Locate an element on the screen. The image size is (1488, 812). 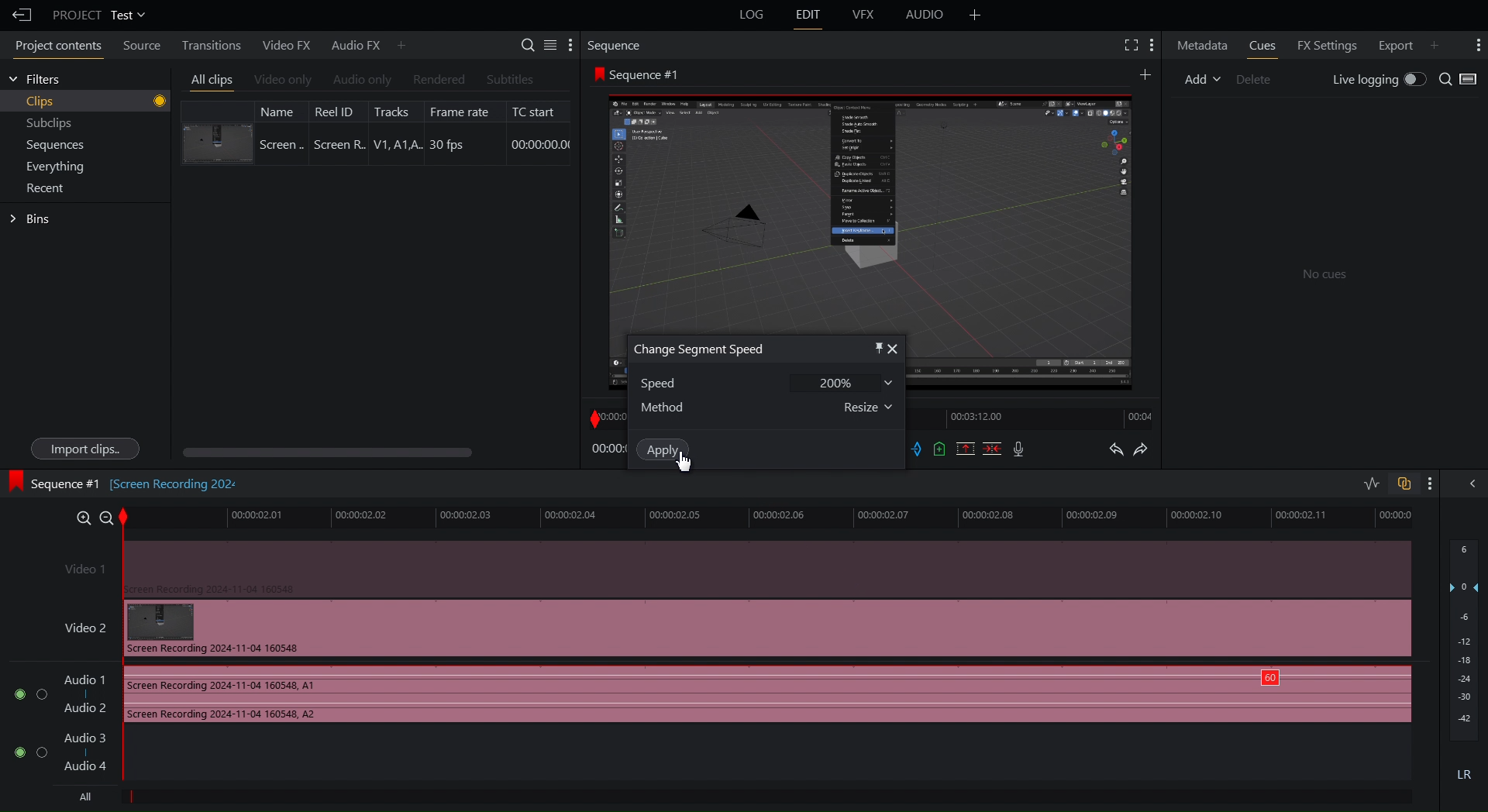
Project contents is located at coordinates (54, 48).